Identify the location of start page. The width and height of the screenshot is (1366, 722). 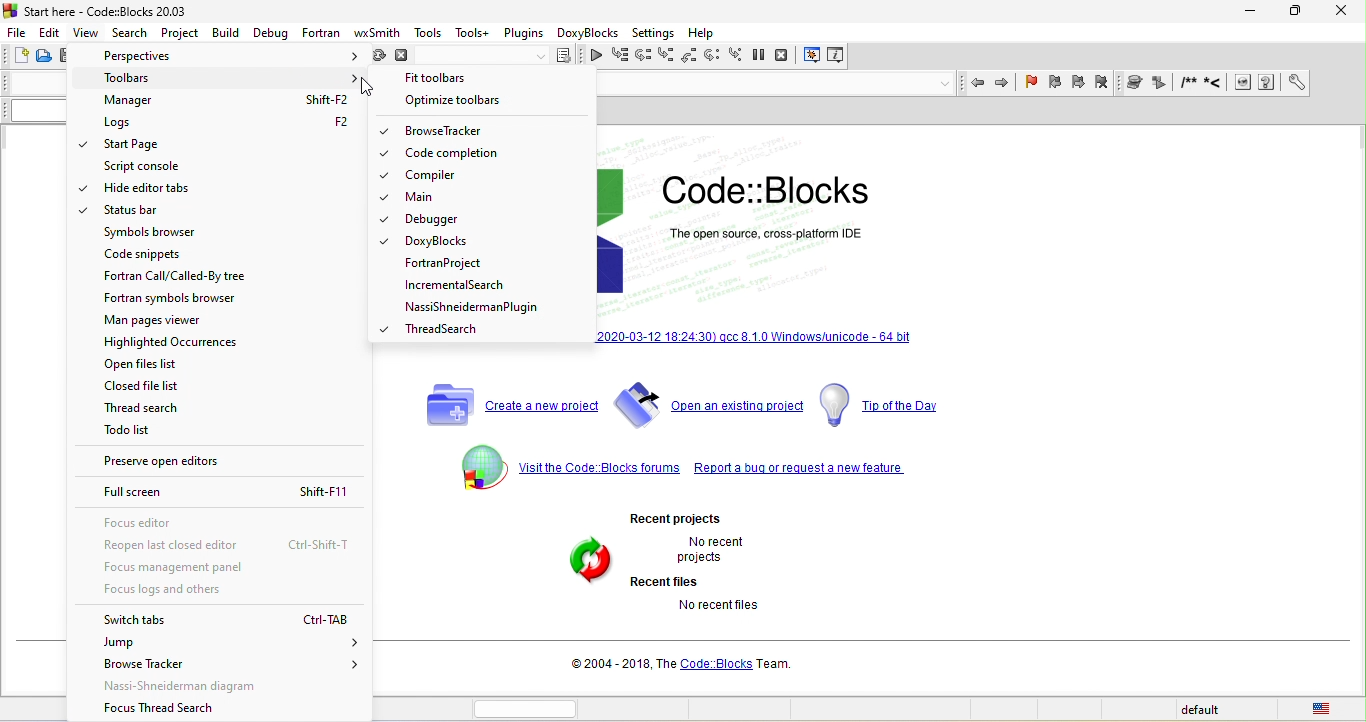
(158, 146).